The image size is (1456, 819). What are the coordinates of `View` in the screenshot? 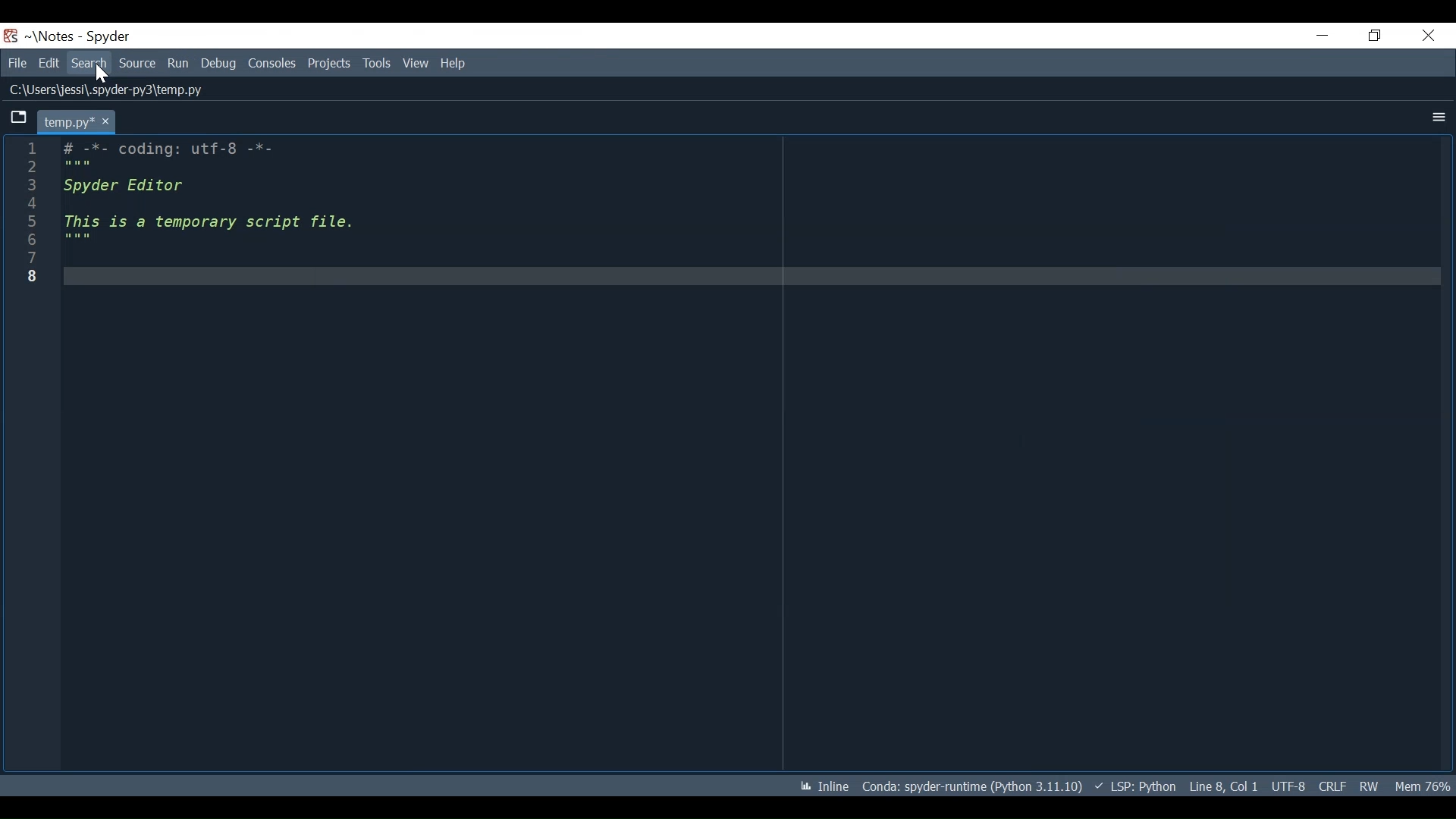 It's located at (415, 62).